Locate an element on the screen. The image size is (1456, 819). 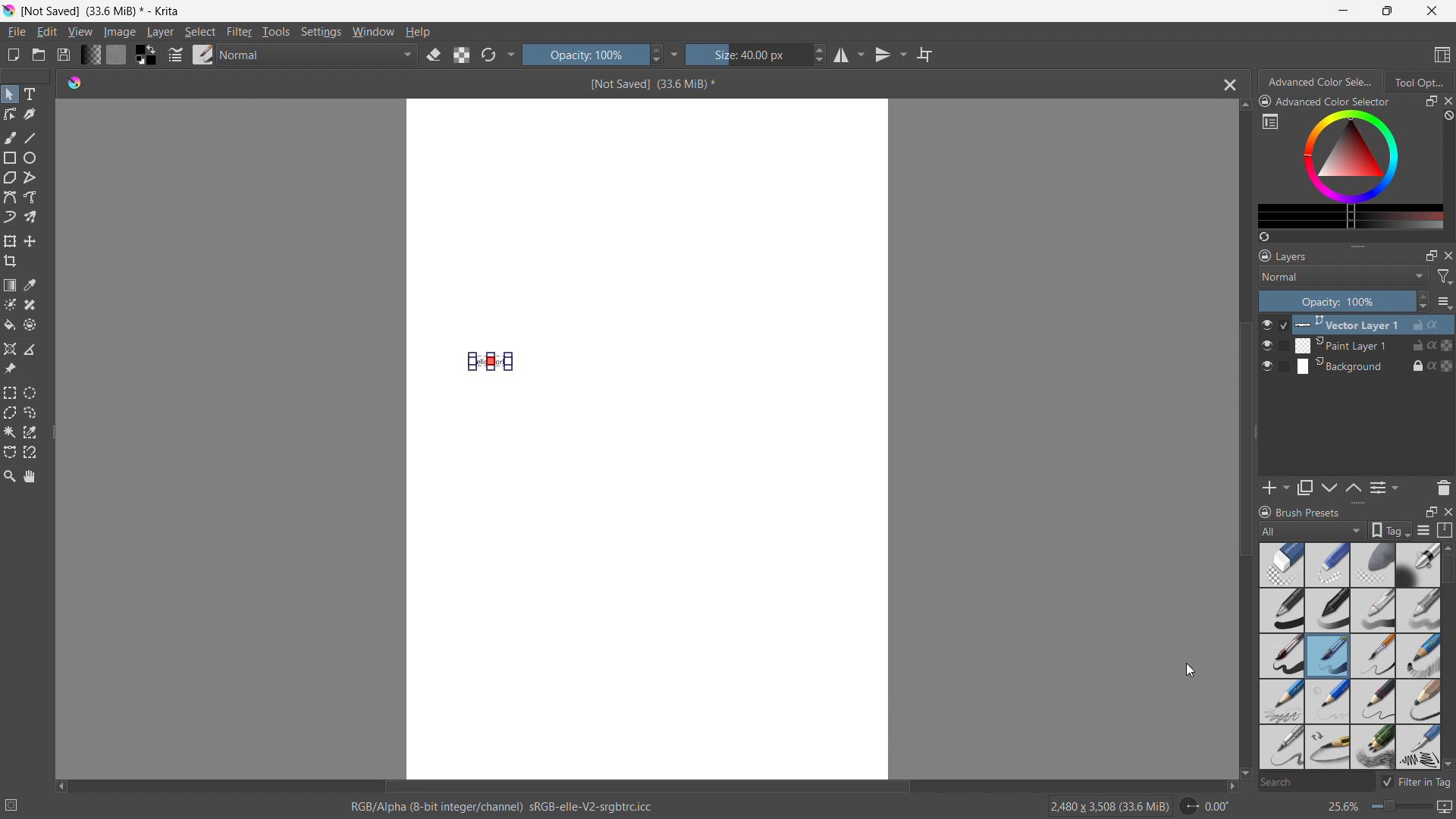
more settings is located at coordinates (512, 53).